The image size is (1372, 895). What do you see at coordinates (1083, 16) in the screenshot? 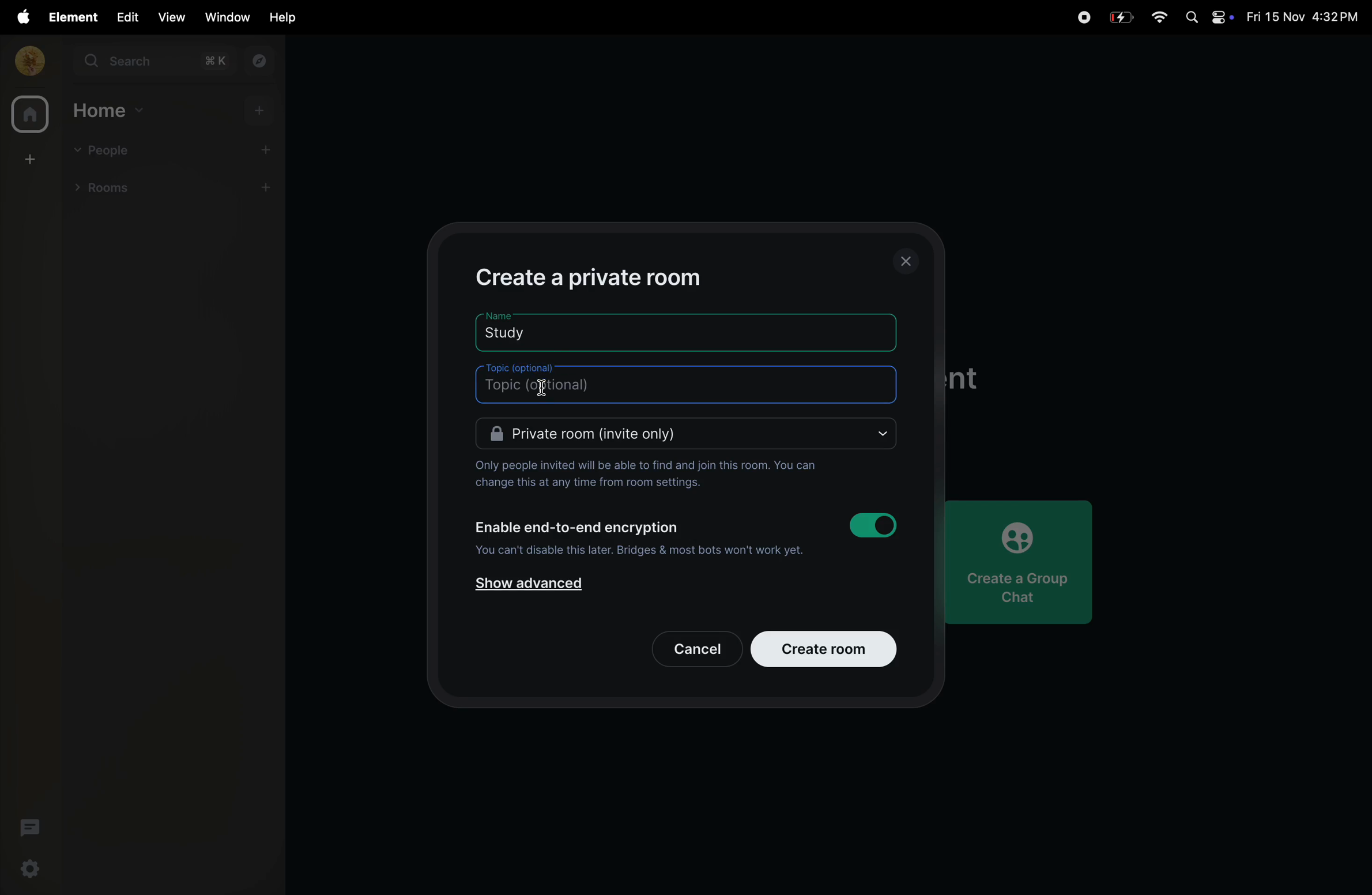
I see `record` at bounding box center [1083, 16].